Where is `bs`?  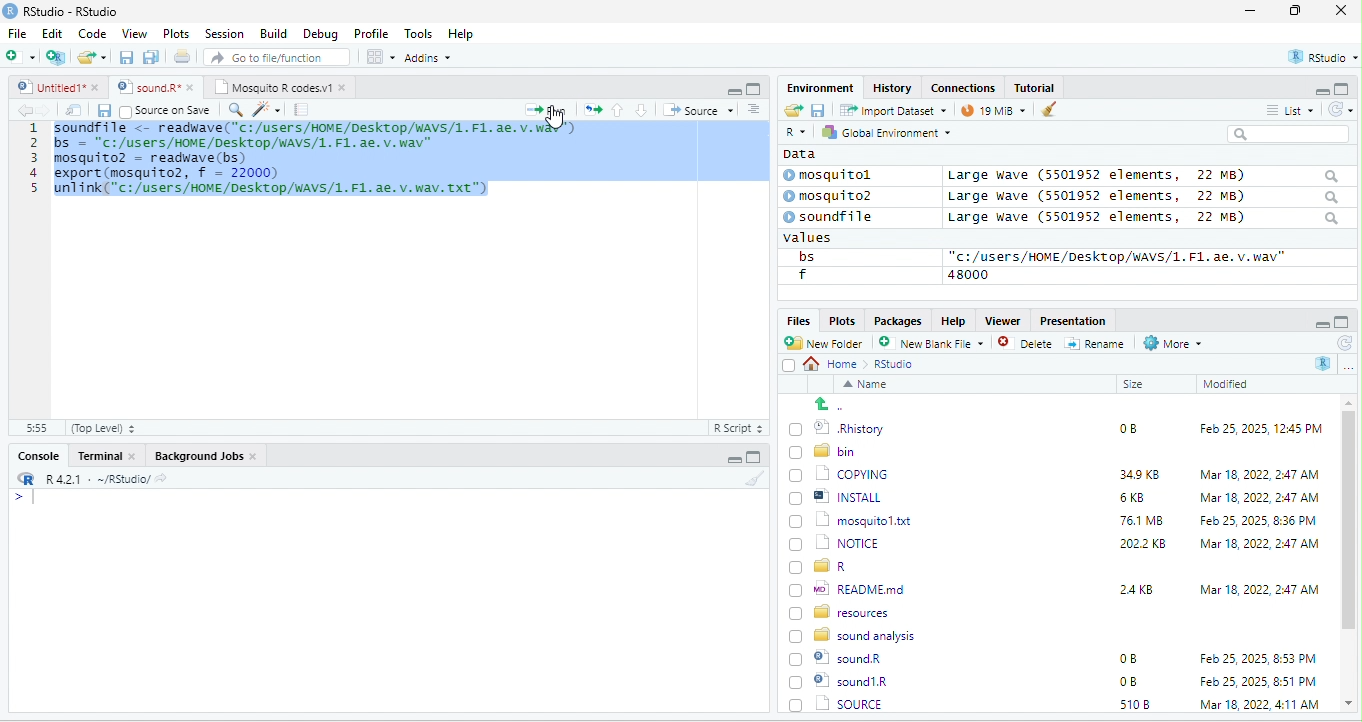
bs is located at coordinates (803, 256).